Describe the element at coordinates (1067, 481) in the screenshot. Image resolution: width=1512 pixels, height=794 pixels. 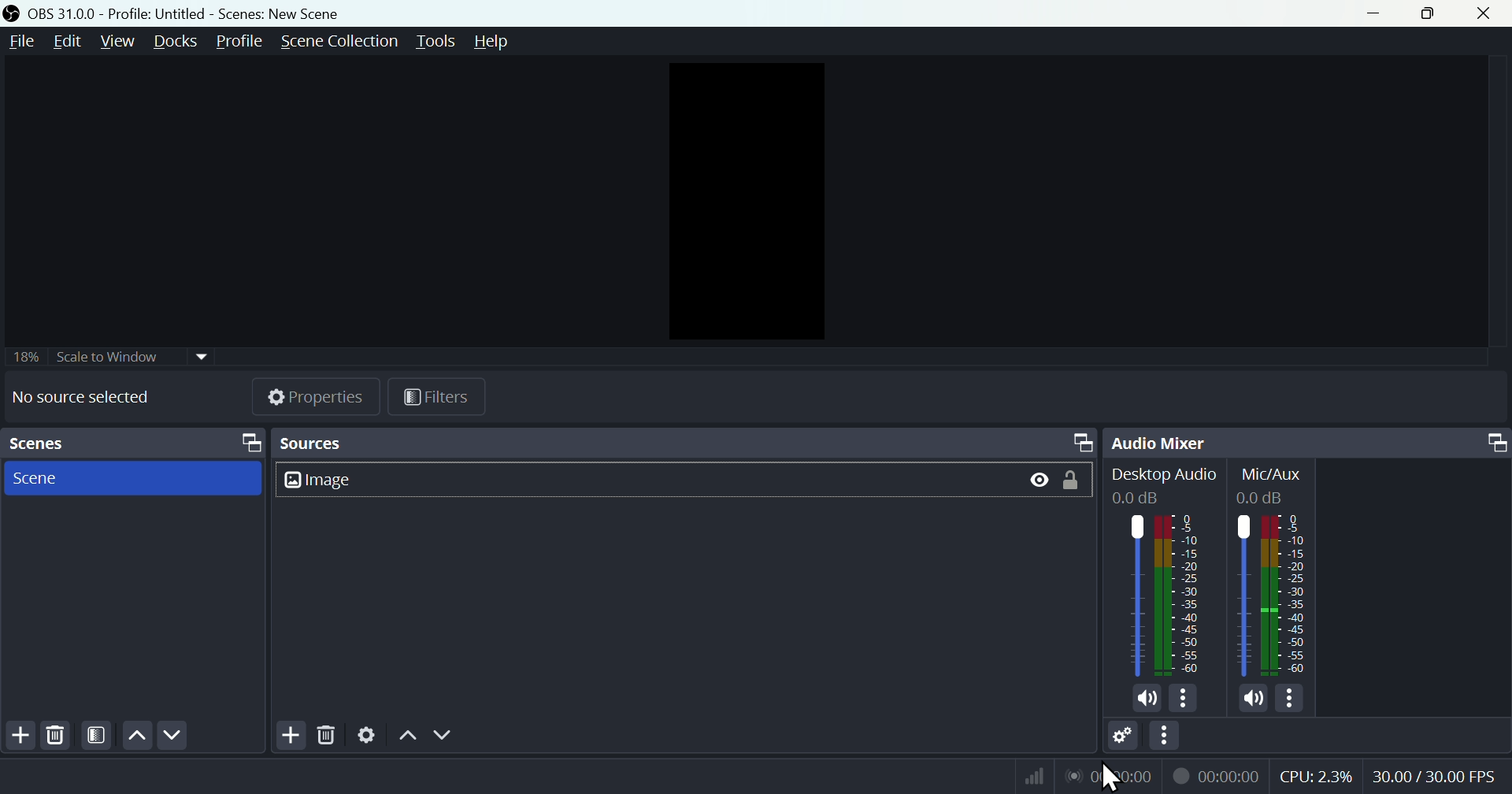
I see `` at that location.